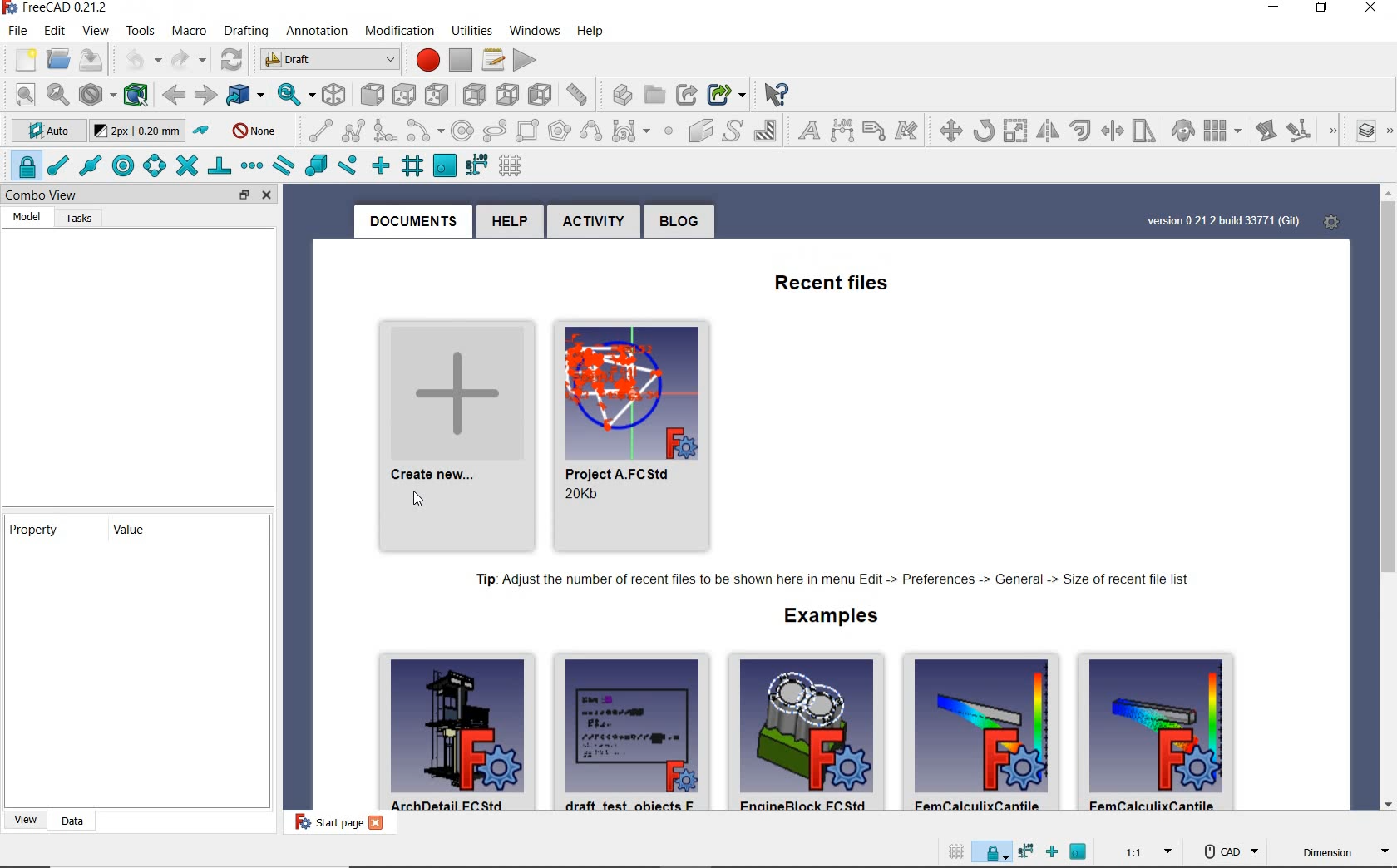 The height and width of the screenshot is (868, 1397). I want to click on hatch, so click(764, 131).